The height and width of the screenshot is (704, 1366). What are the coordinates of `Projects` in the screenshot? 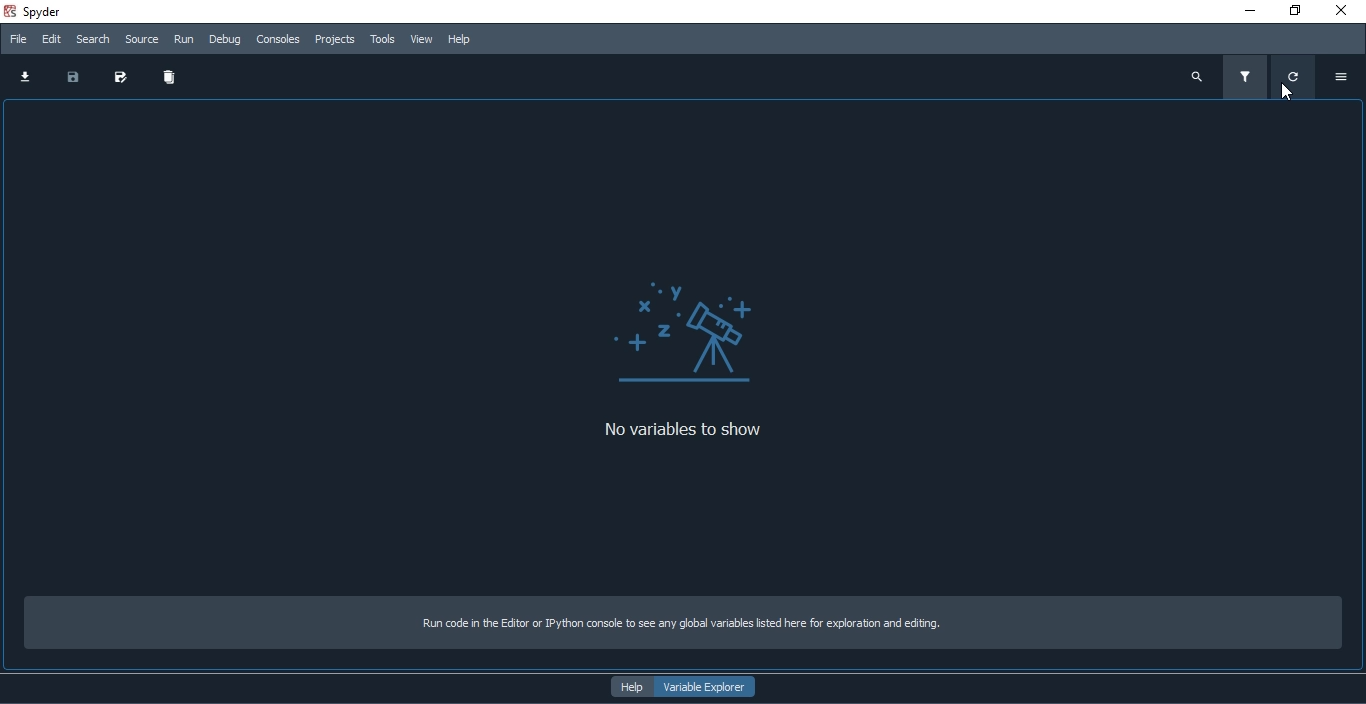 It's located at (335, 40).